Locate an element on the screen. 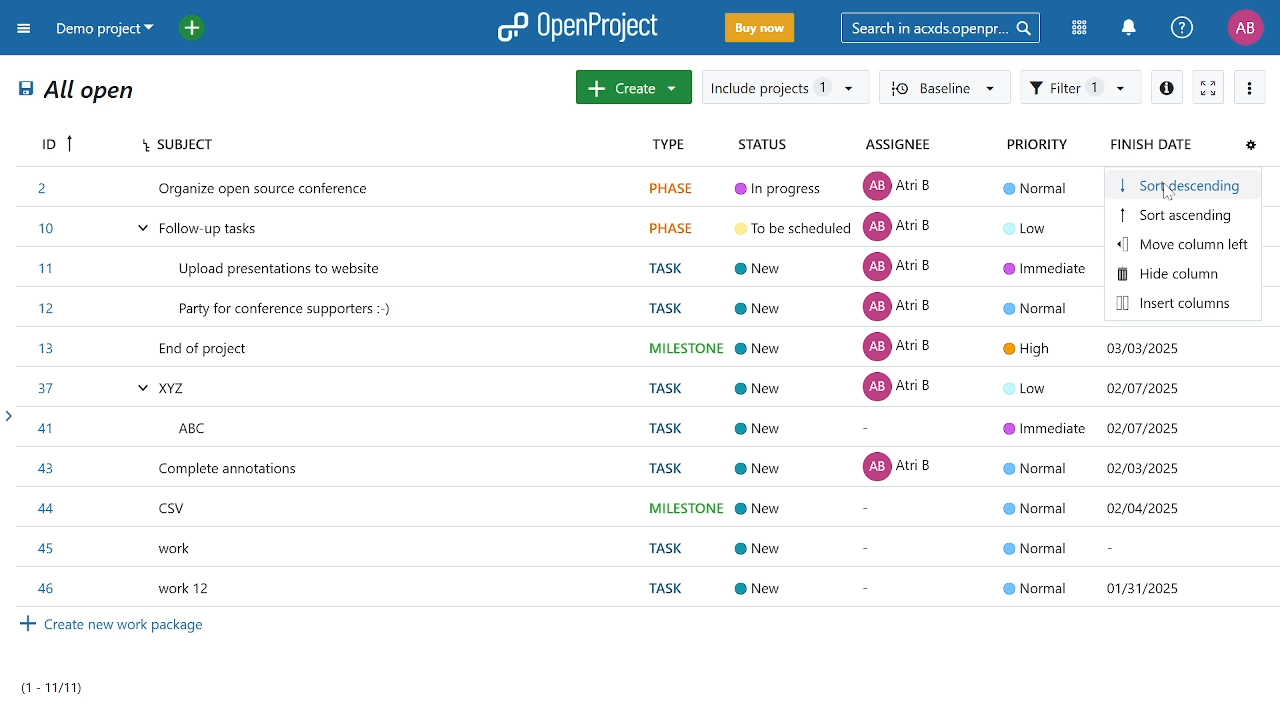 The height and width of the screenshot is (720, 1280). expand project menu is located at coordinates (22, 30).